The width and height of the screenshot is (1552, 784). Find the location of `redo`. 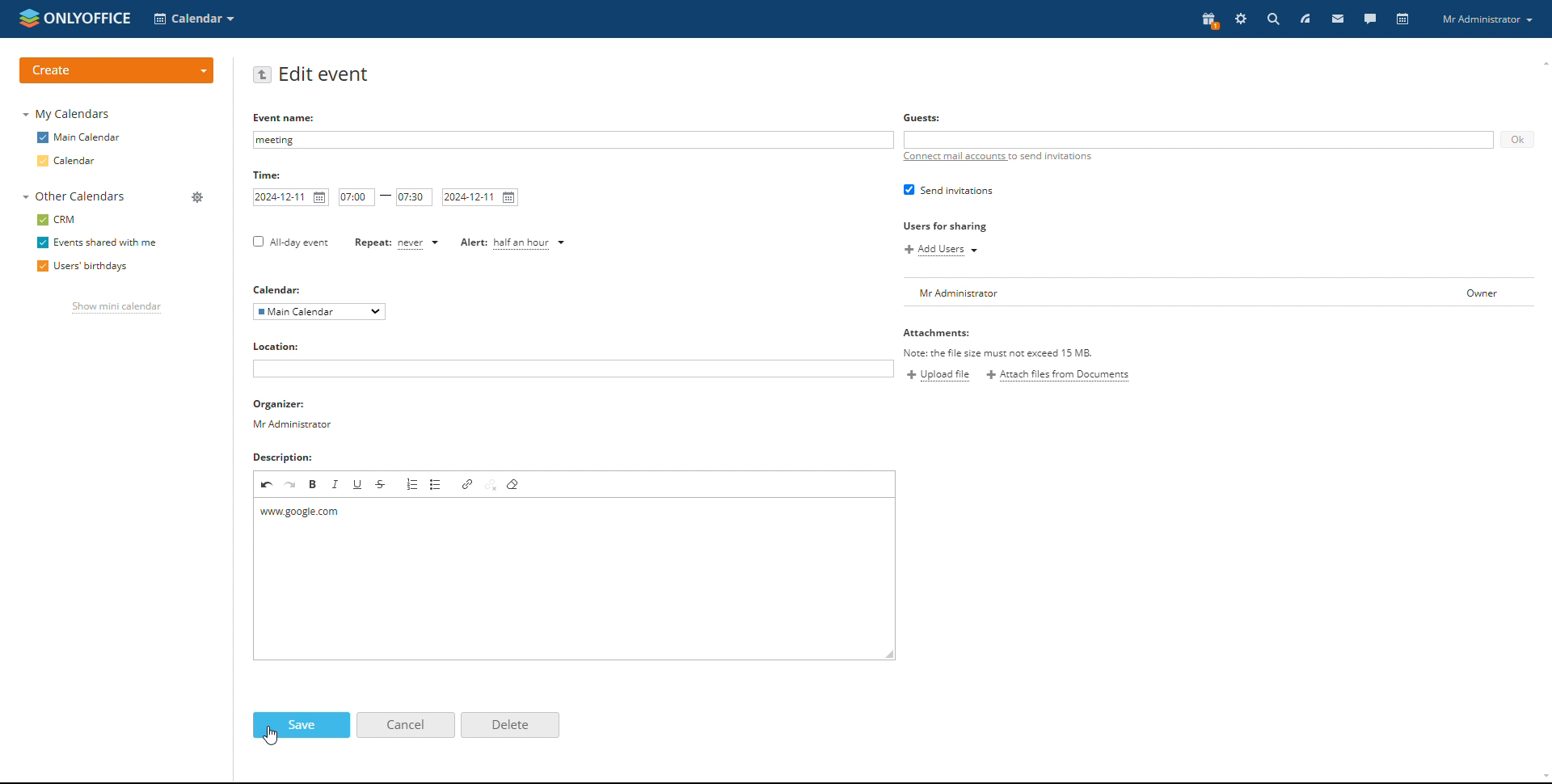

redo is located at coordinates (291, 483).